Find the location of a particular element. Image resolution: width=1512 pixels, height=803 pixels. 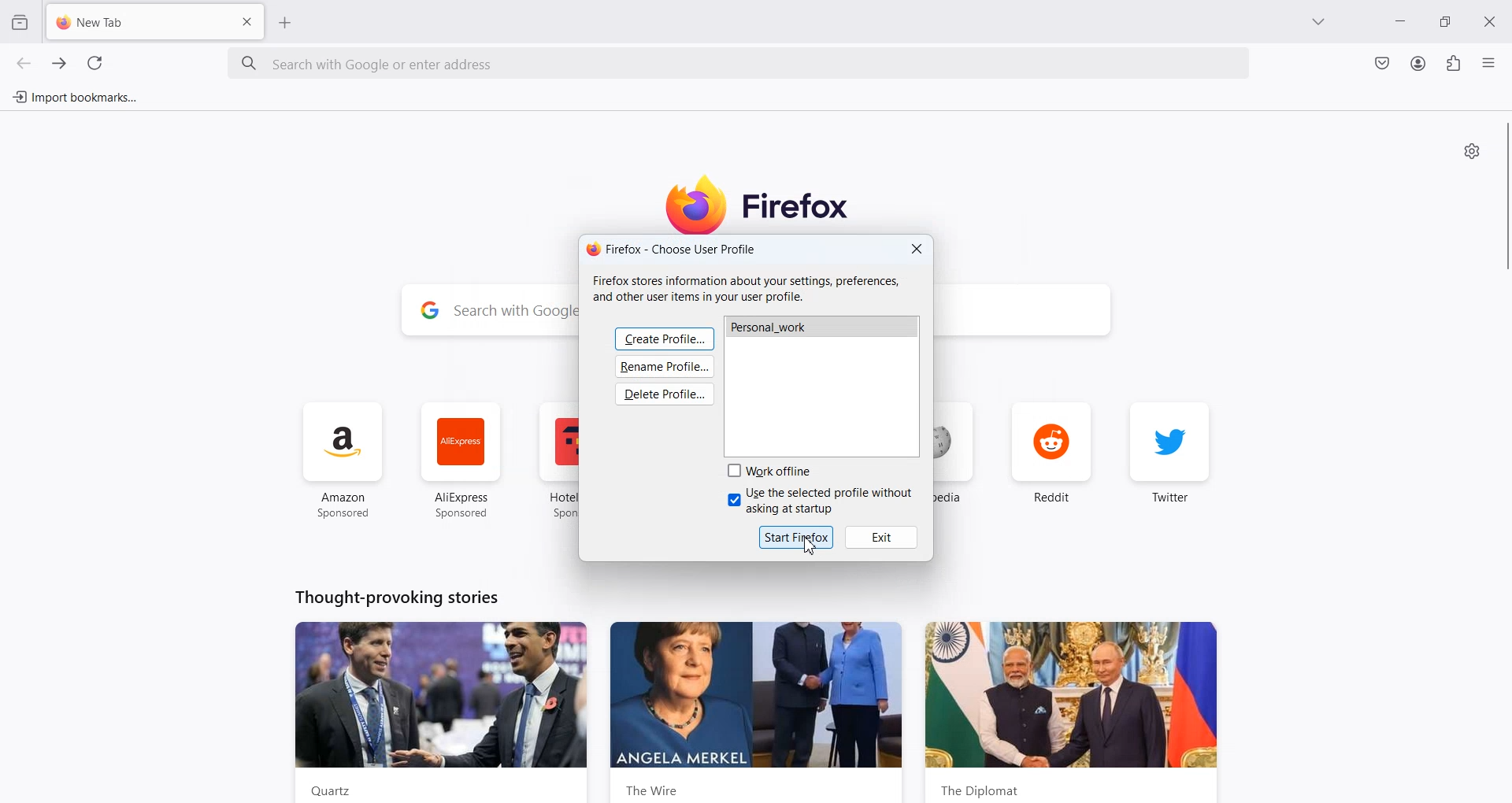

Delete Profile is located at coordinates (666, 395).